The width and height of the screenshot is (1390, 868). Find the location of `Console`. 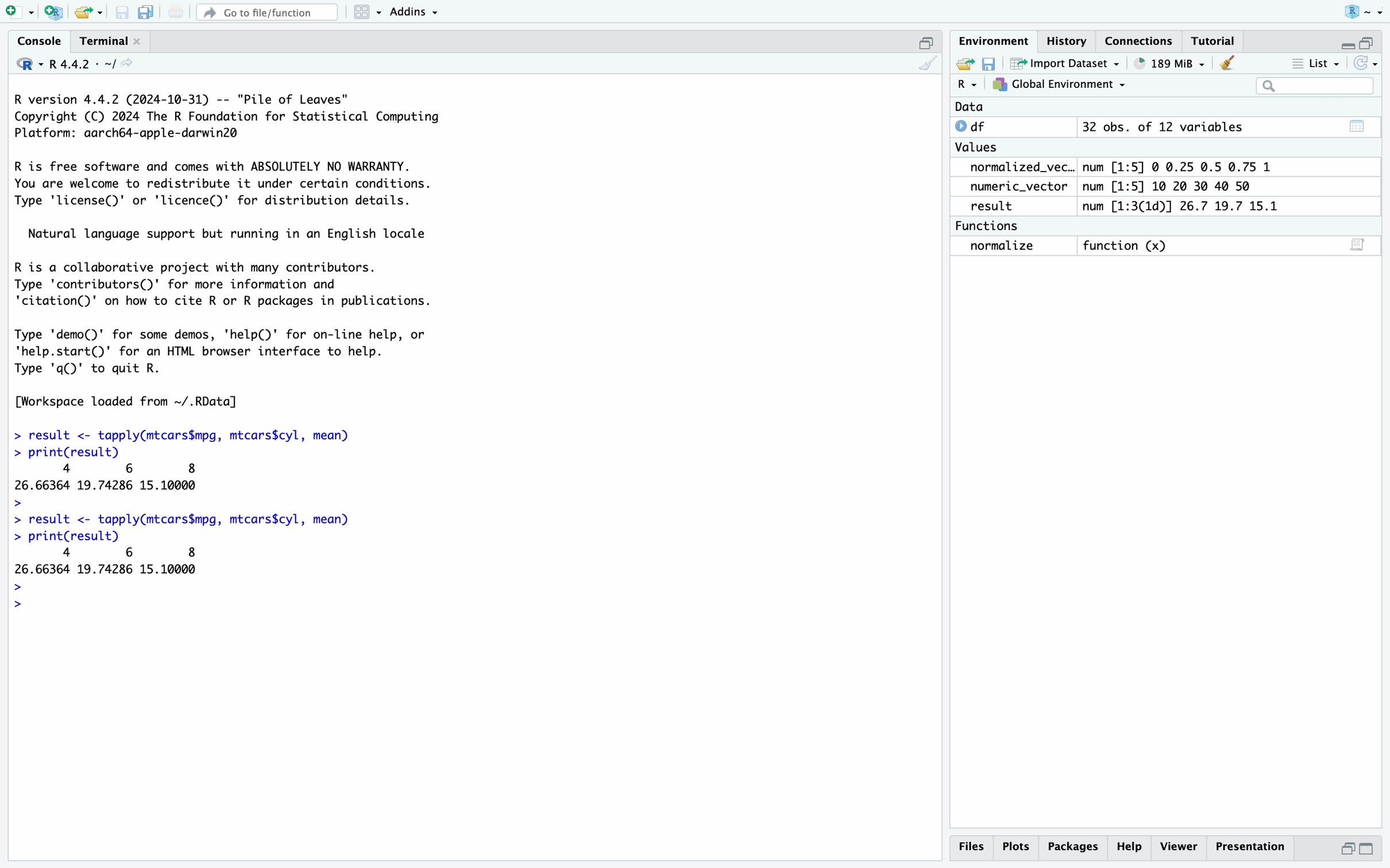

Console is located at coordinates (39, 40).